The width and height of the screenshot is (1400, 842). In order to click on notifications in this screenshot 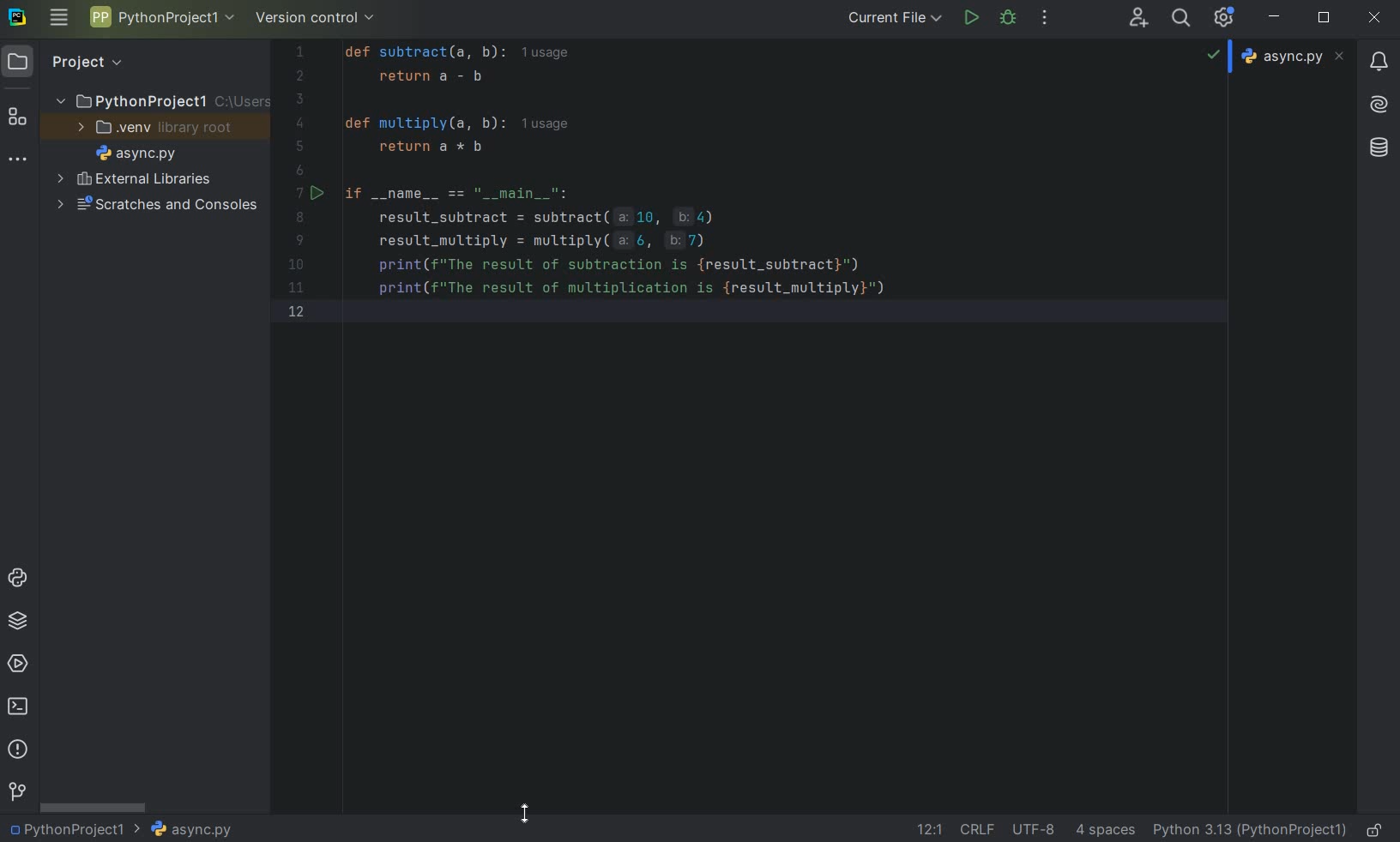, I will do `click(1380, 63)`.